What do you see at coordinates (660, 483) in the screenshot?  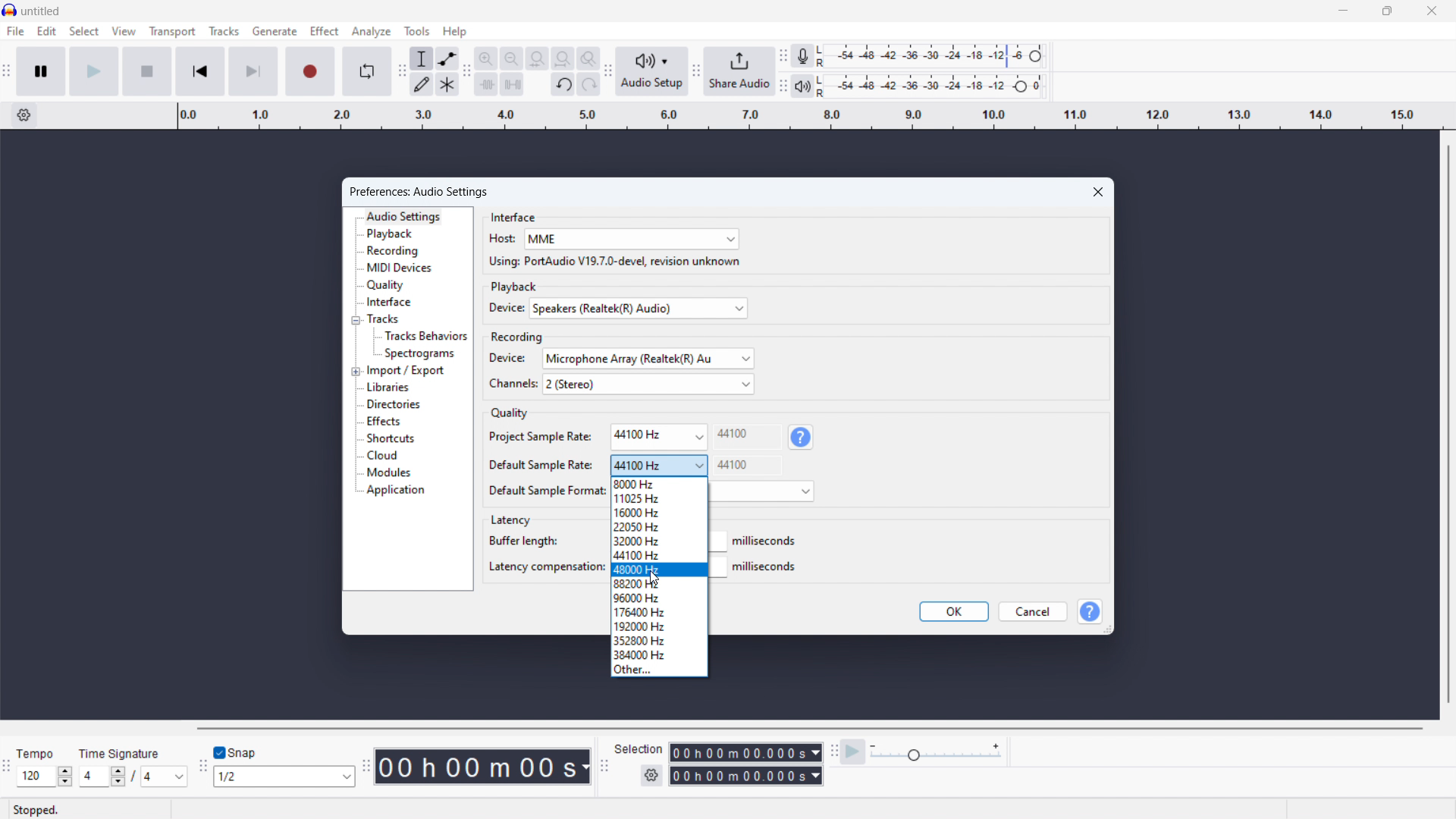 I see `8000Hz` at bounding box center [660, 483].